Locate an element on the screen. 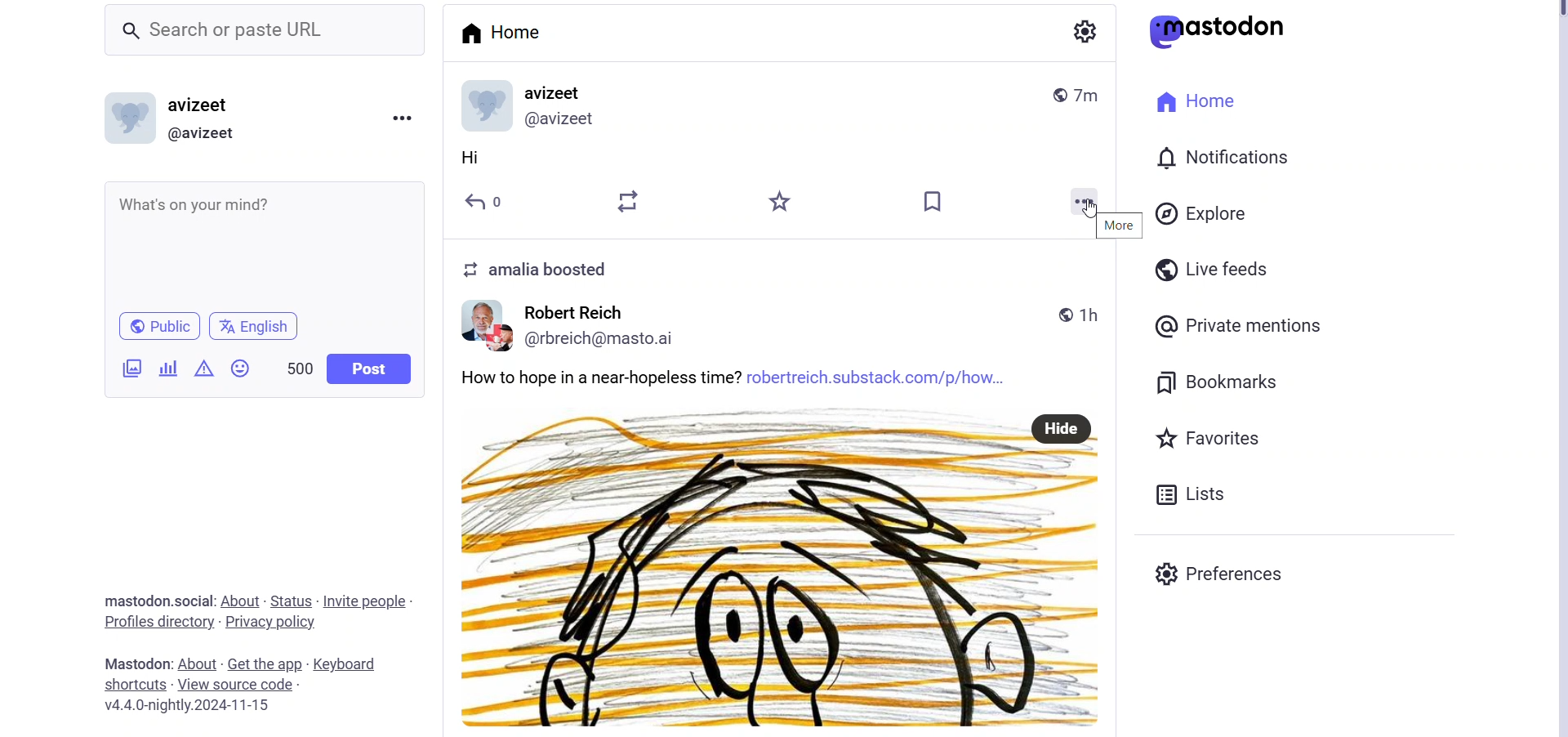 Image resolution: width=1568 pixels, height=737 pixels. Add Poll is located at coordinates (165, 366).